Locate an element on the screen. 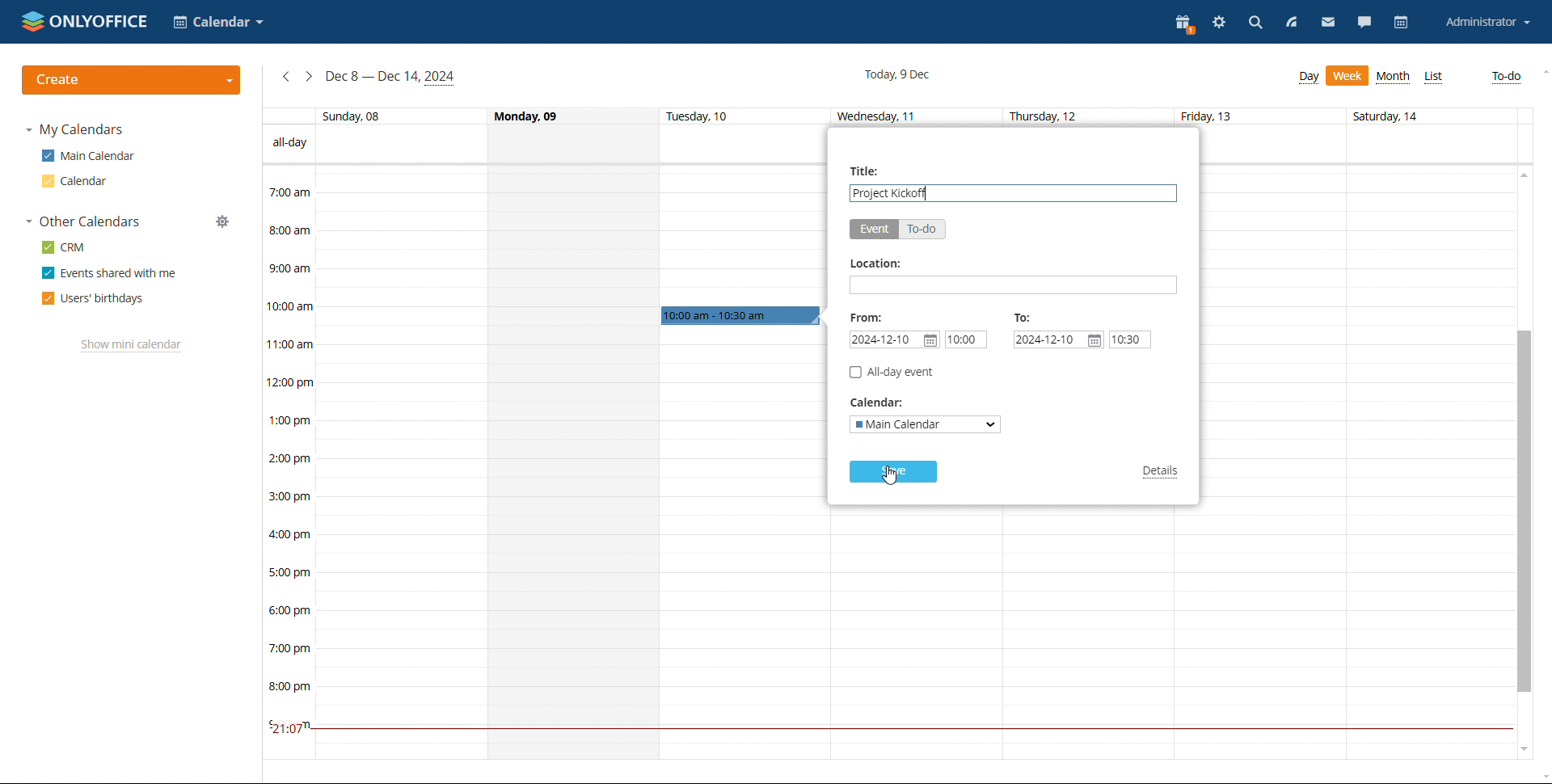 The height and width of the screenshot is (784, 1552). month view is located at coordinates (1395, 78).